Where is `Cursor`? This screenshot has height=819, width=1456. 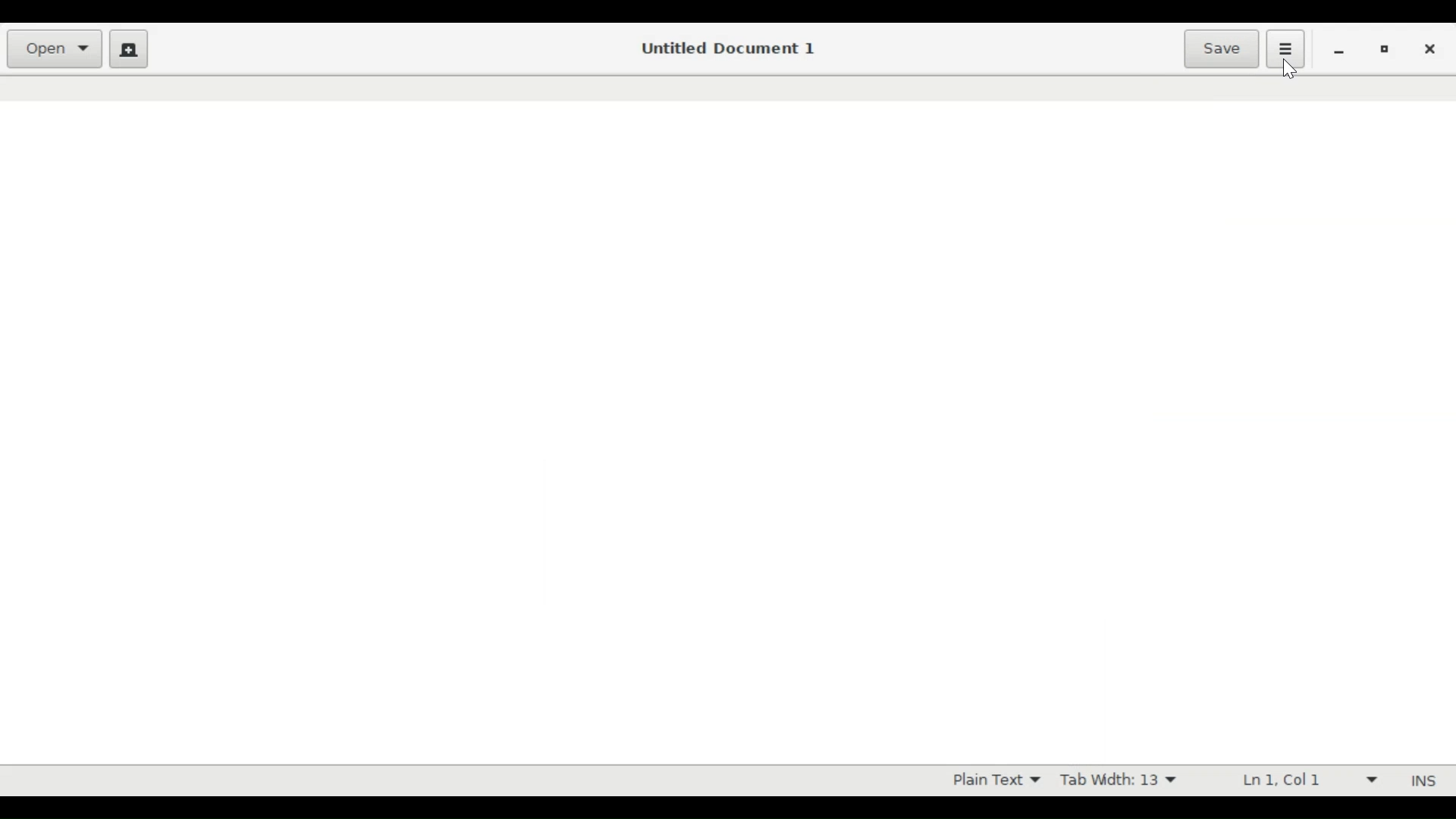 Cursor is located at coordinates (1287, 71).